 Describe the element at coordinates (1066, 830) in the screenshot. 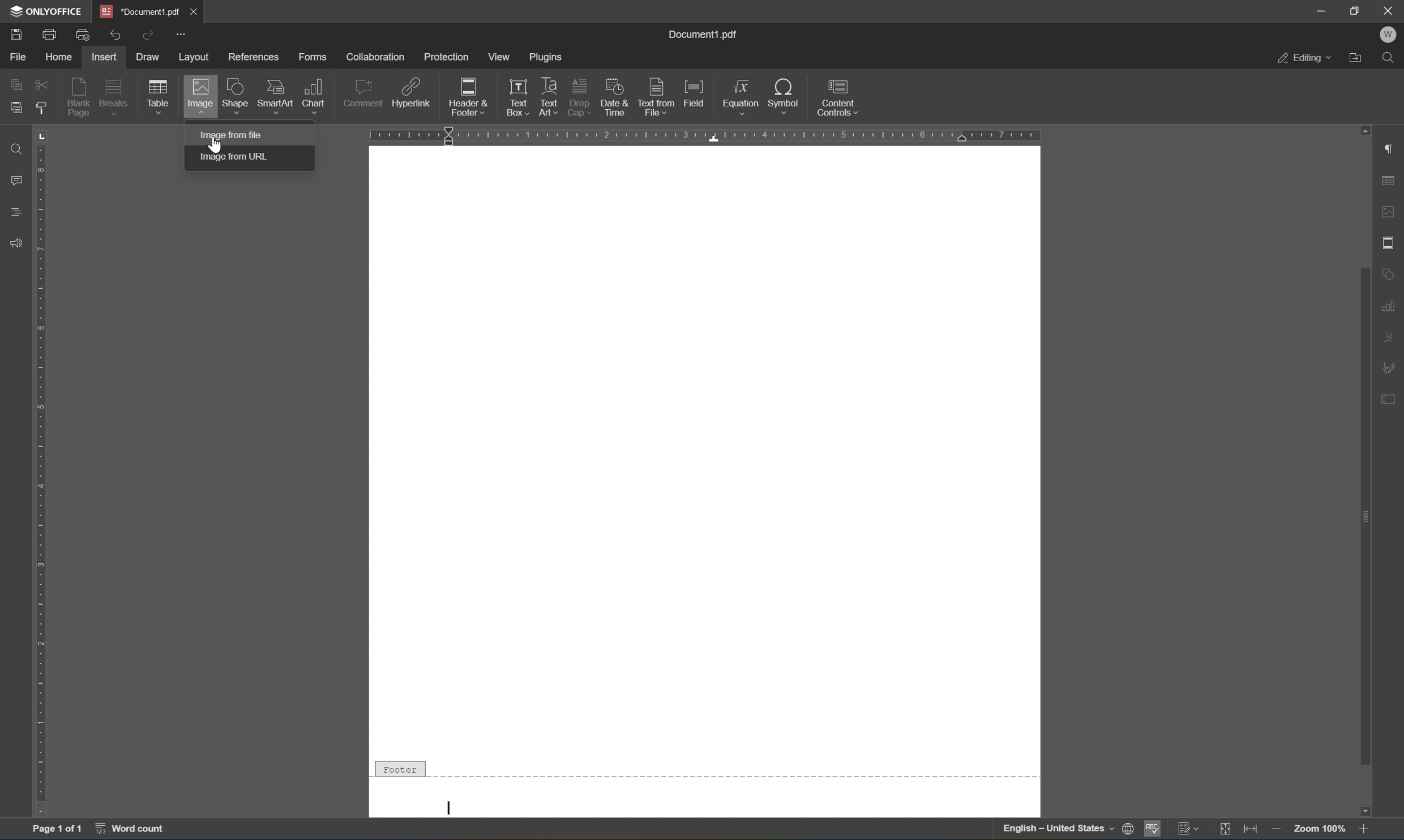

I see `English-United States` at that location.